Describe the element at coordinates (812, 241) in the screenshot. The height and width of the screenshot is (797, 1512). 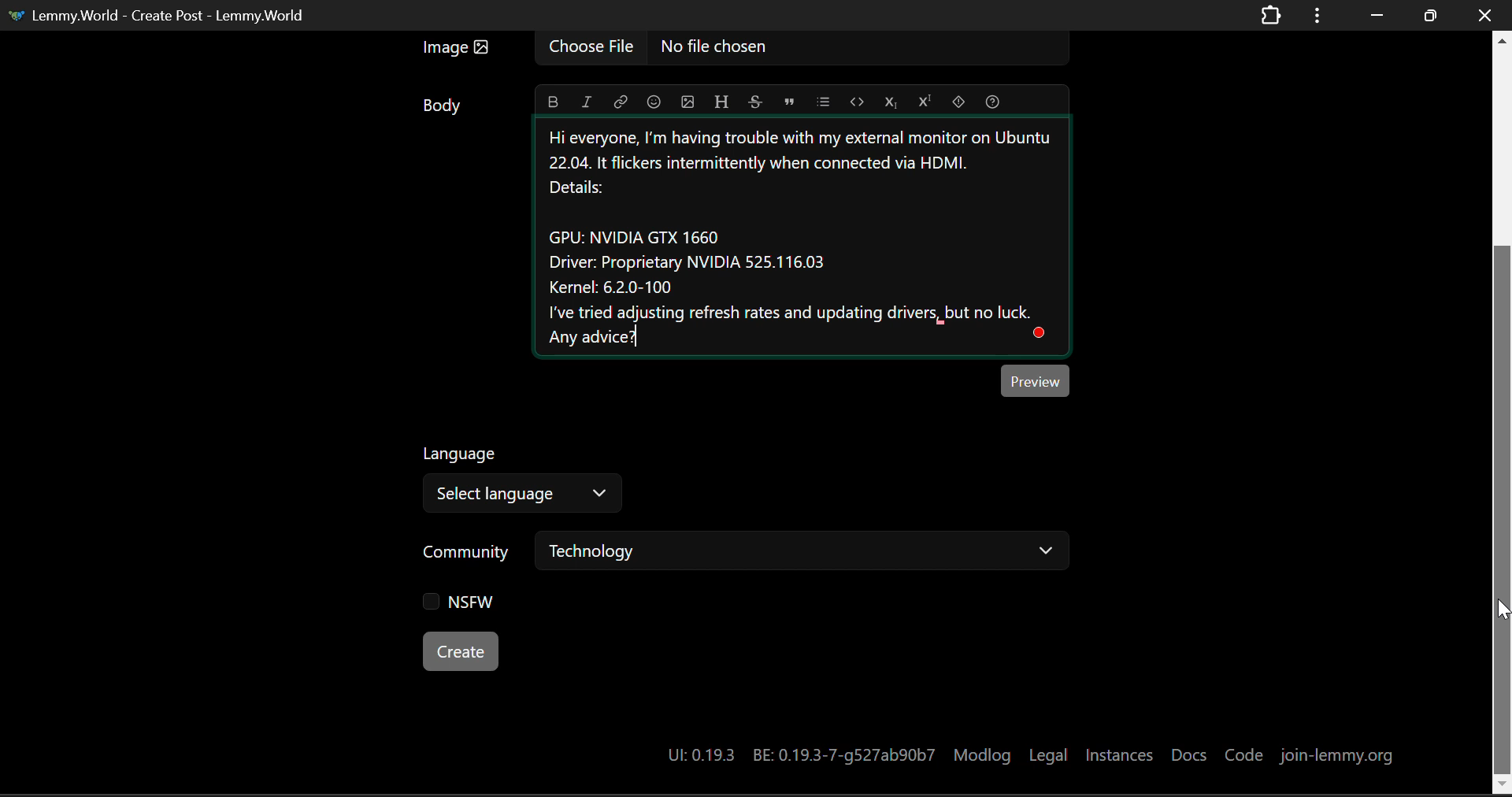
I see `External Monitor Help Needed Text` at that location.